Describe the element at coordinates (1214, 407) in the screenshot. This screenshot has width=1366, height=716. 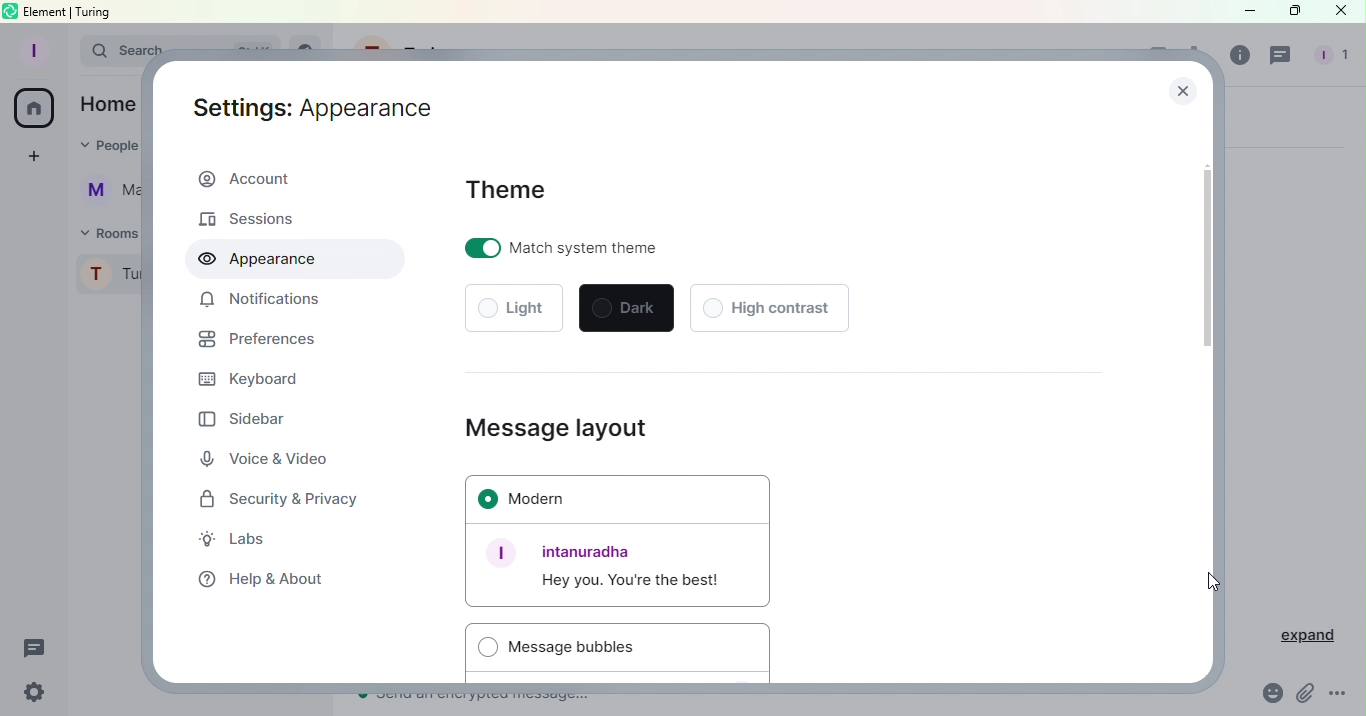
I see `Scroll bar` at that location.